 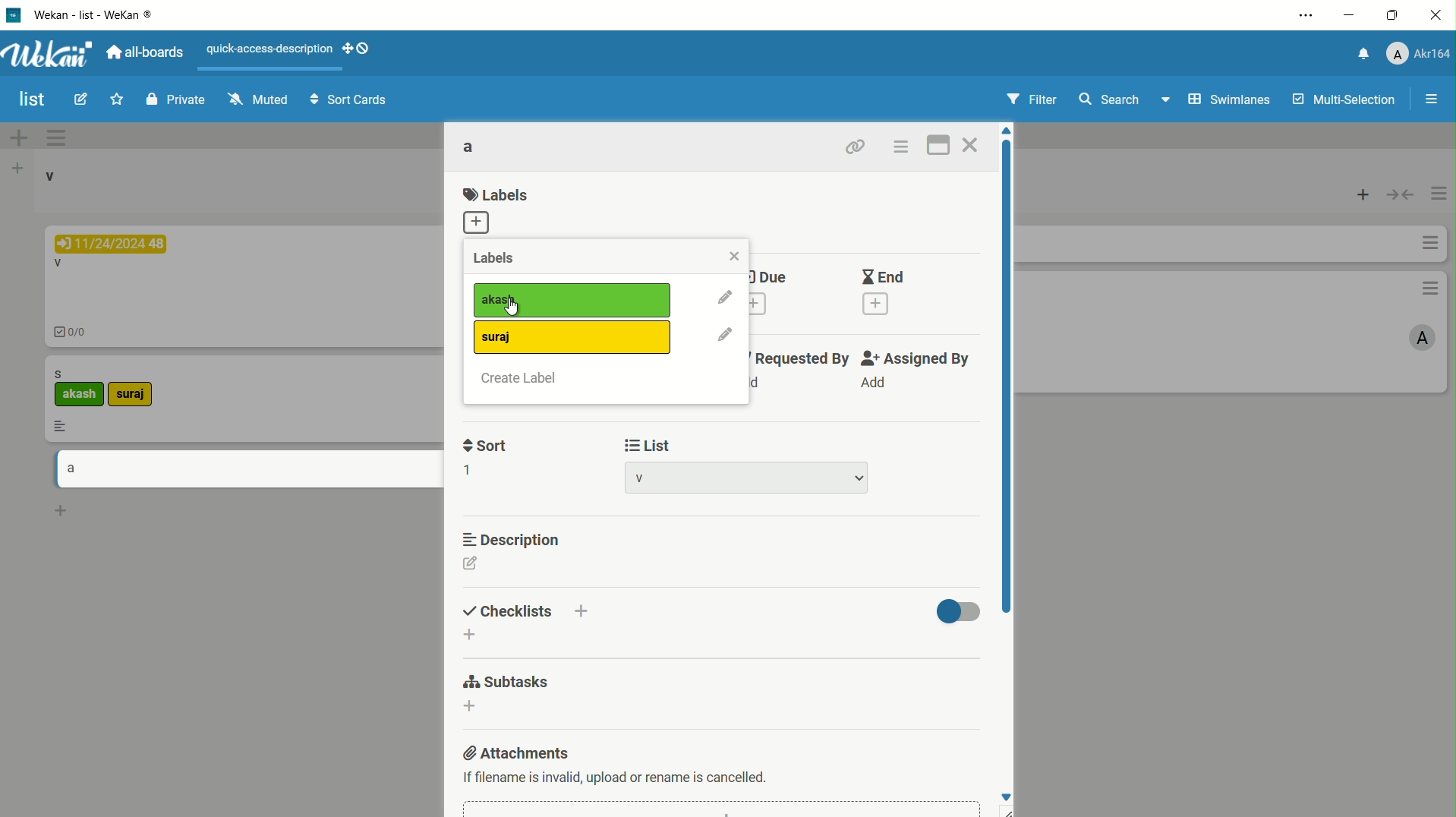 What do you see at coordinates (506, 681) in the screenshot?
I see `subtasks` at bounding box center [506, 681].